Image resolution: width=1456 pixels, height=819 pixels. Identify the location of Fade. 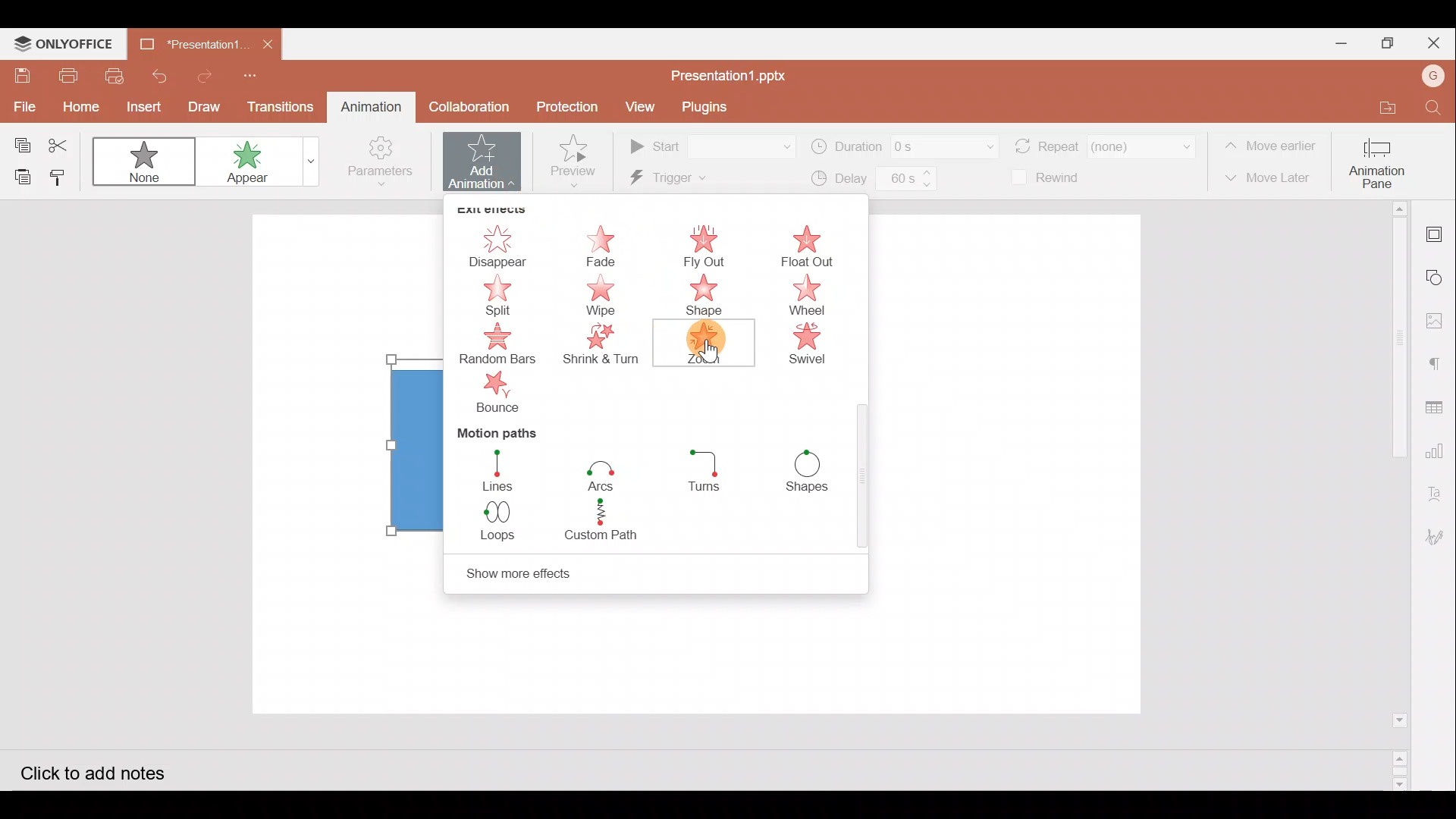
(605, 242).